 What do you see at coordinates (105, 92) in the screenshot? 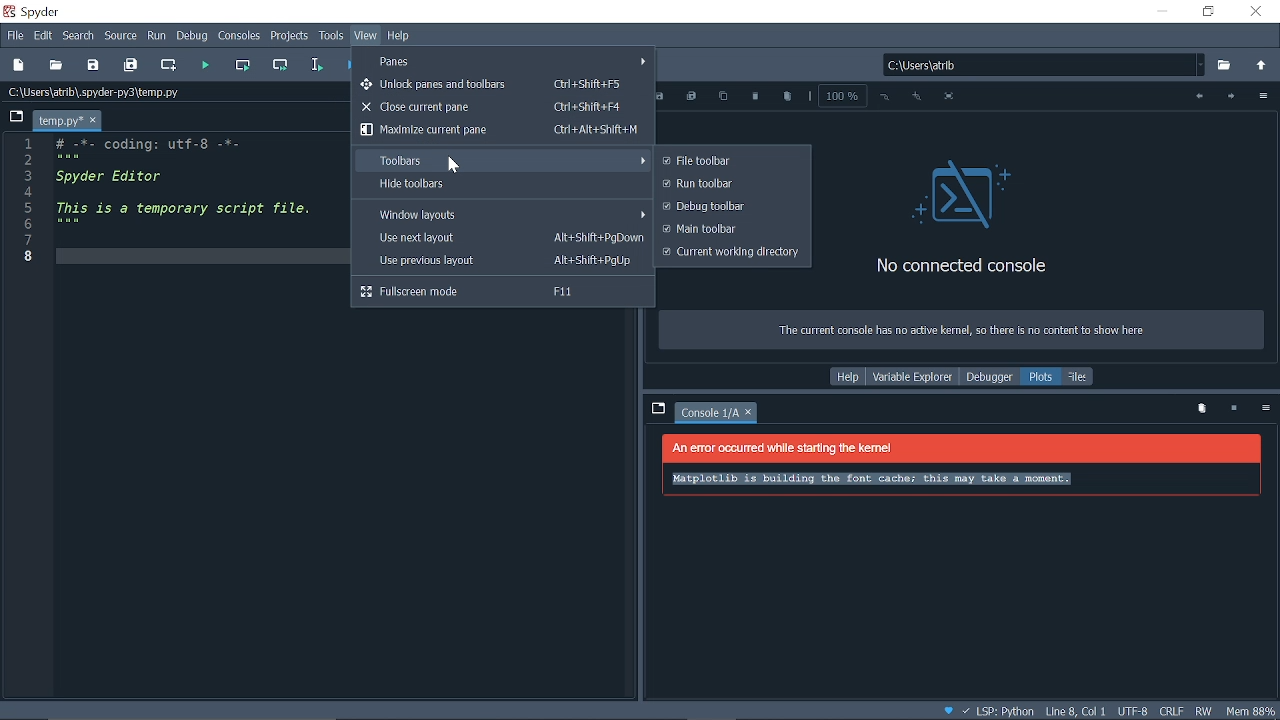
I see `Location` at bounding box center [105, 92].